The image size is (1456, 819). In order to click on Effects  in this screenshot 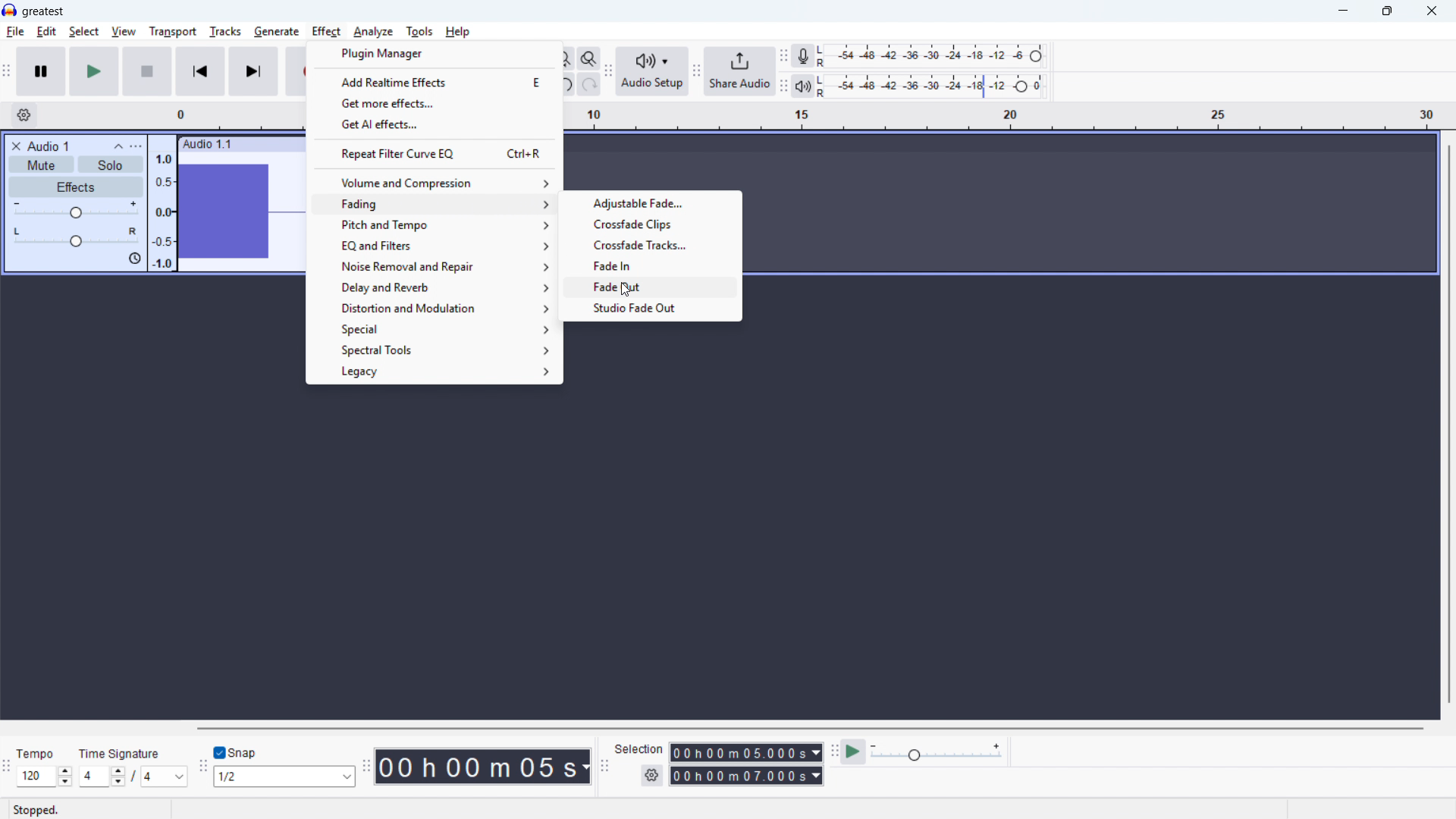, I will do `click(77, 187)`.